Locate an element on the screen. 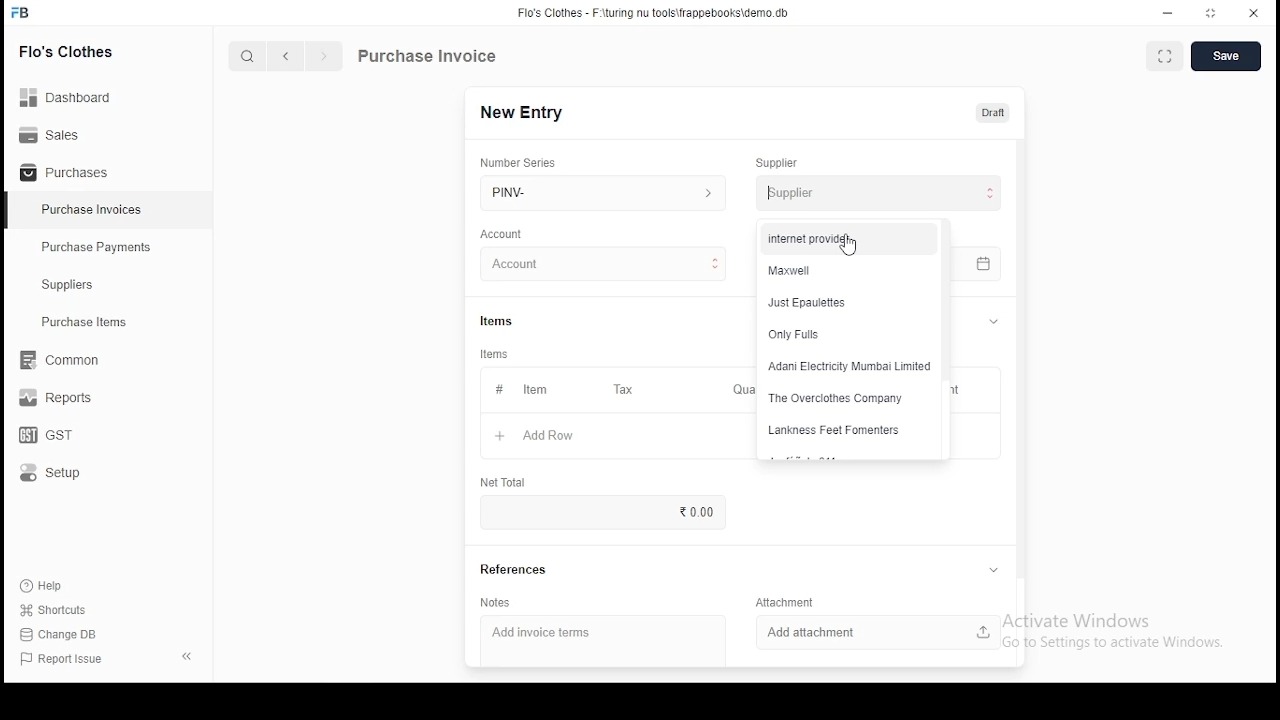  dashboard is located at coordinates (75, 91).